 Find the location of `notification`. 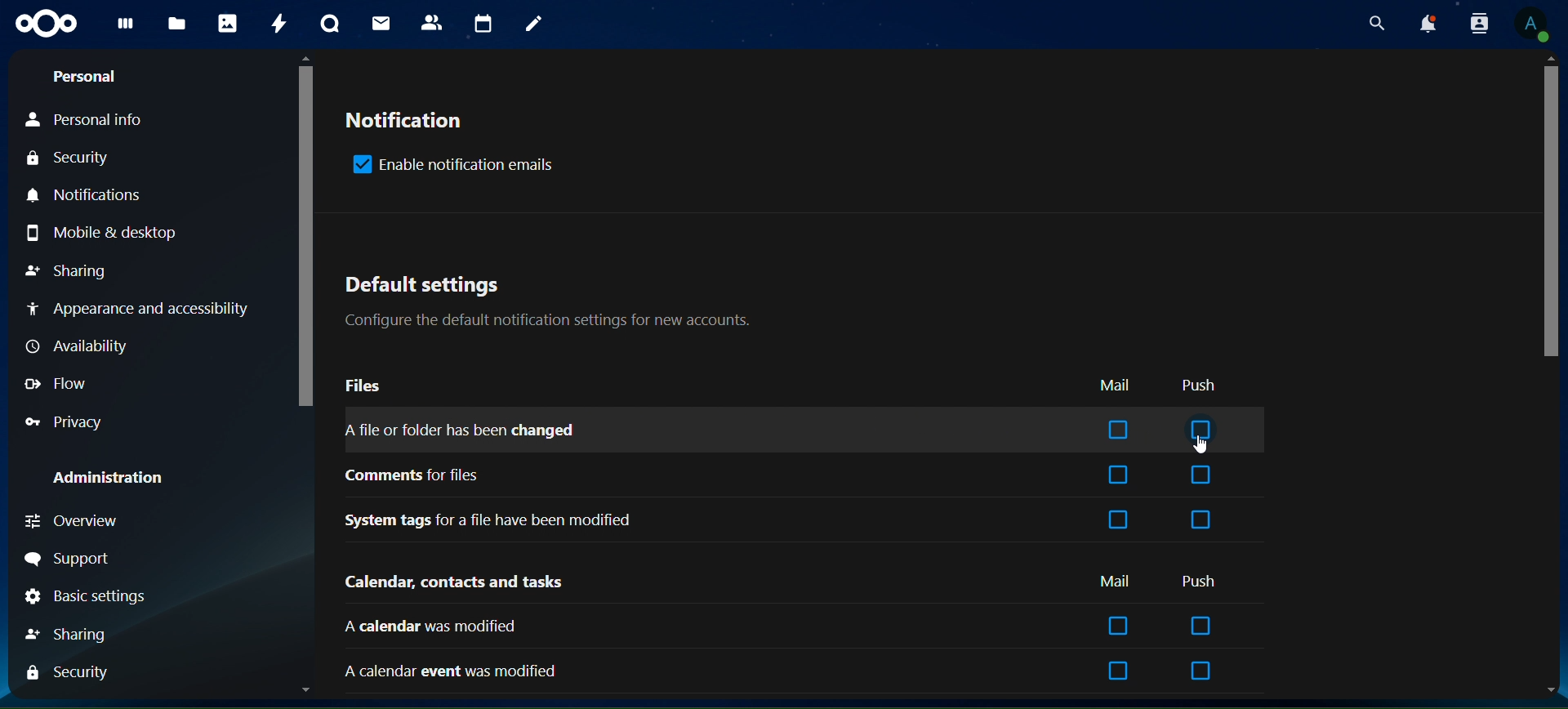

notification is located at coordinates (410, 125).